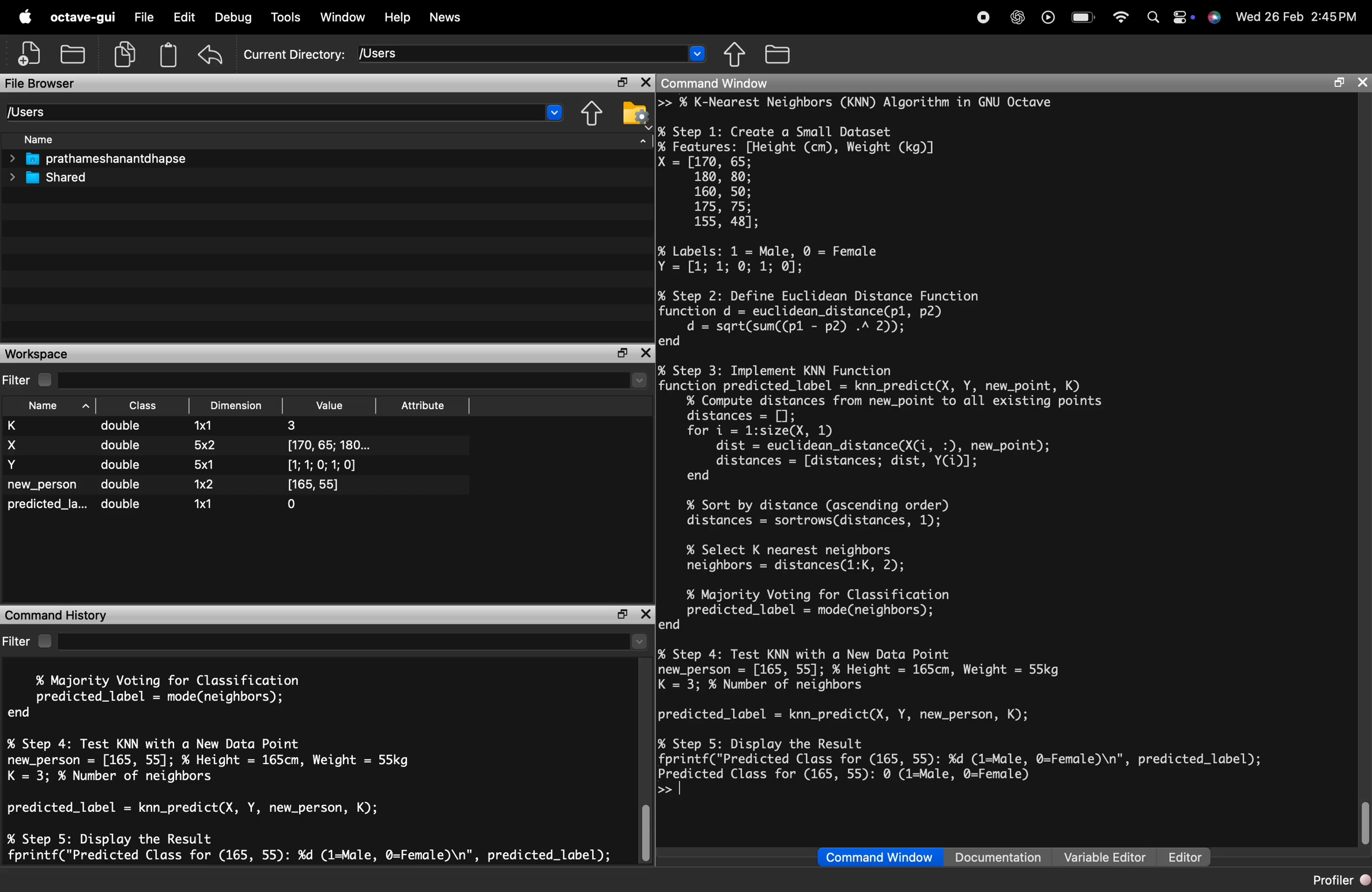 Image resolution: width=1372 pixels, height=892 pixels. What do you see at coordinates (634, 119) in the screenshot?
I see `settings` at bounding box center [634, 119].